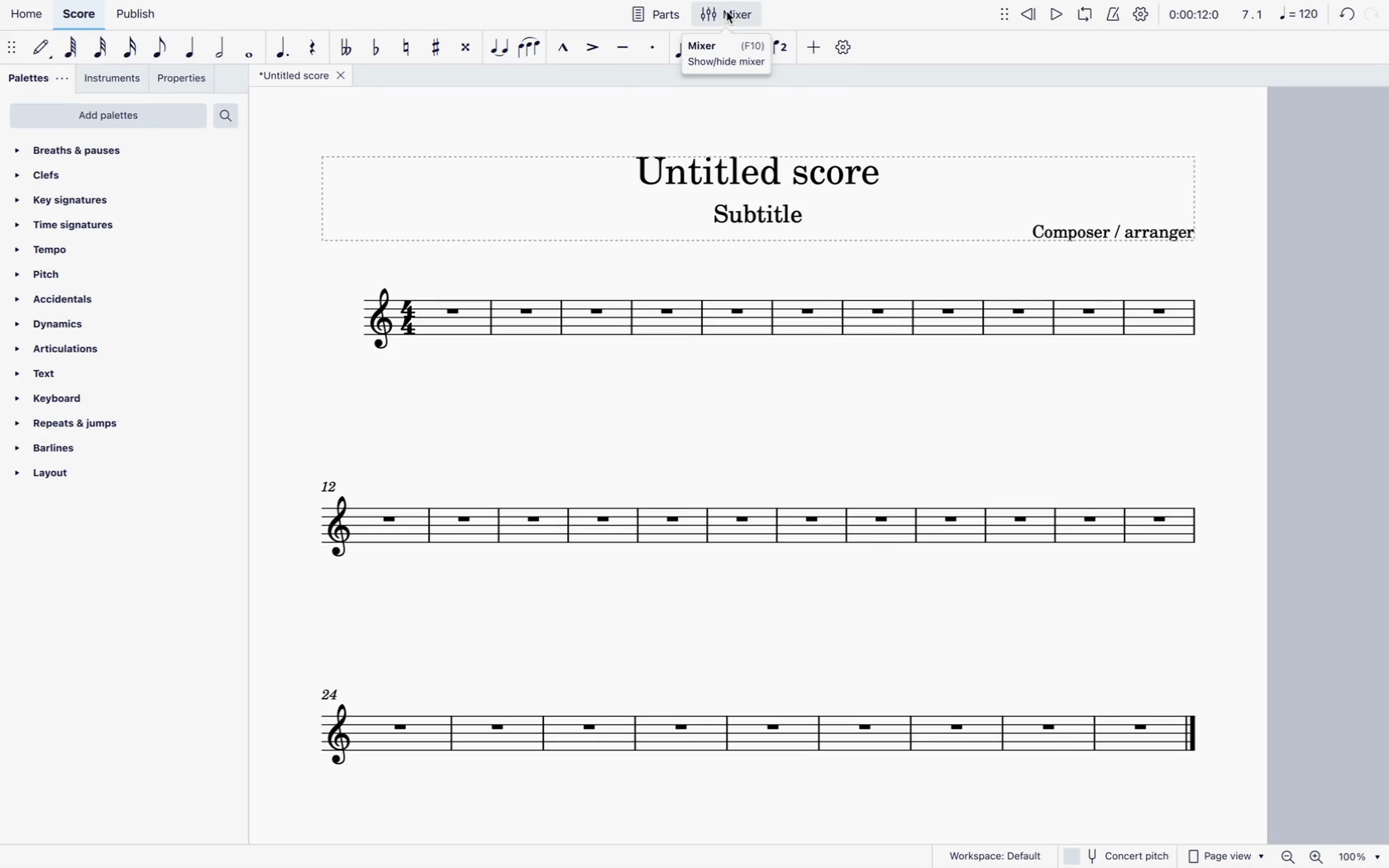 Image resolution: width=1389 pixels, height=868 pixels. I want to click on augmentation dot, so click(281, 43).